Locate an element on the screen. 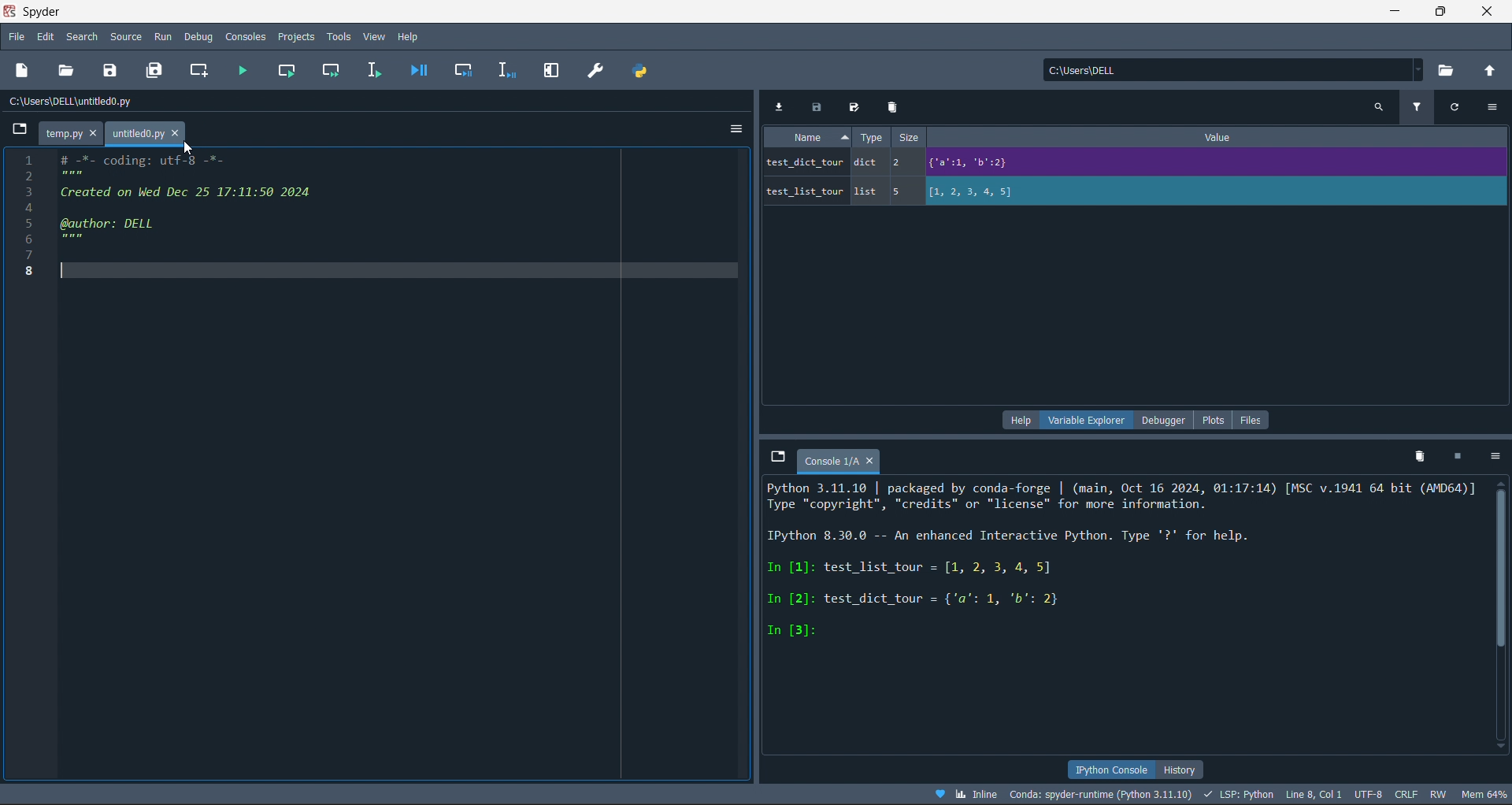 Image resolution: width=1512 pixels, height=805 pixels. run file is located at coordinates (240, 68).